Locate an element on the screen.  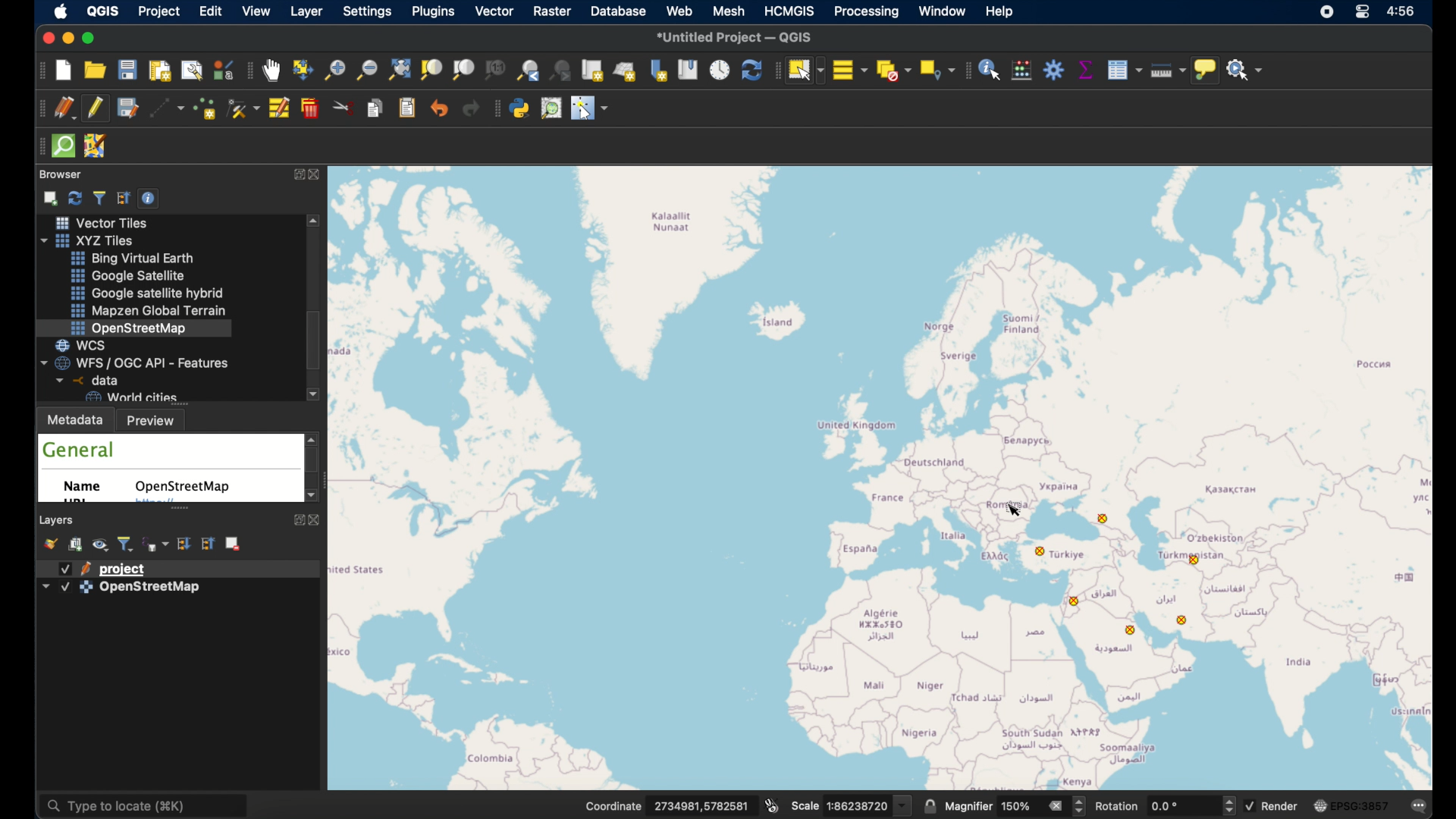
vector tiles is located at coordinates (99, 222).